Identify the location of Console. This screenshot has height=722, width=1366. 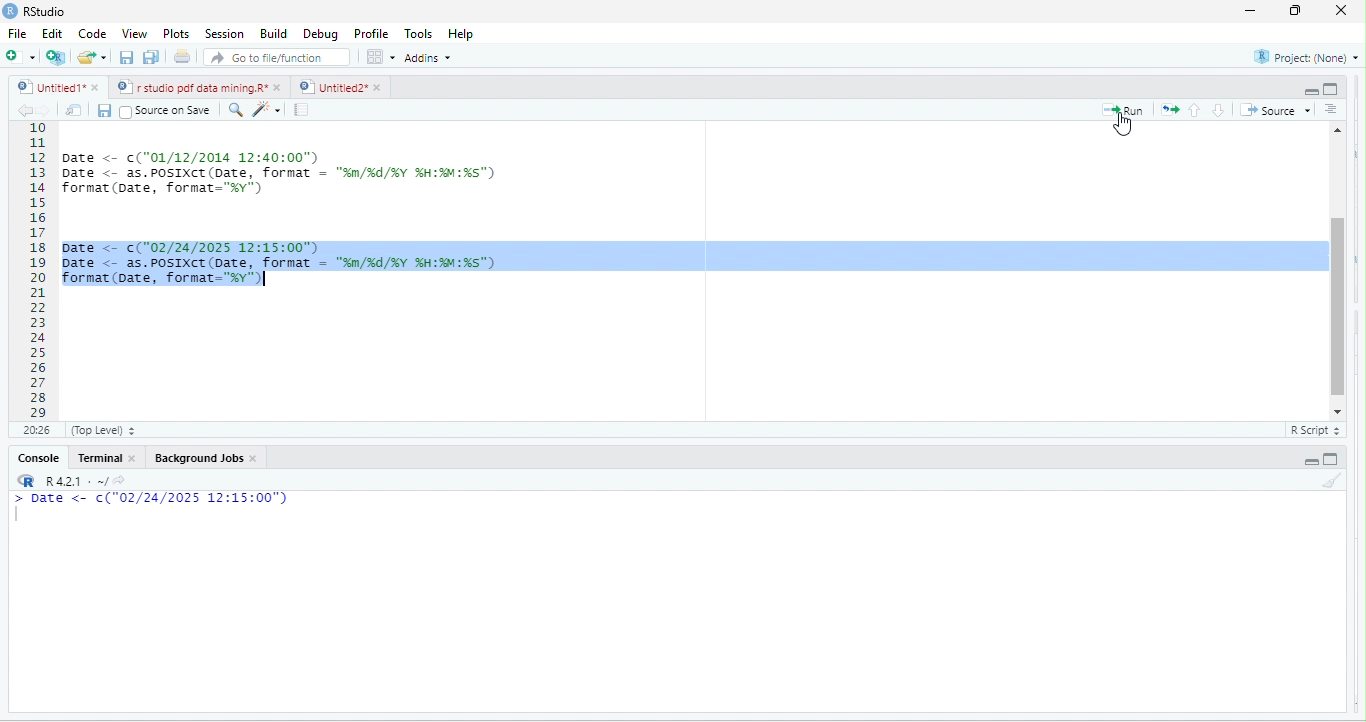
(38, 459).